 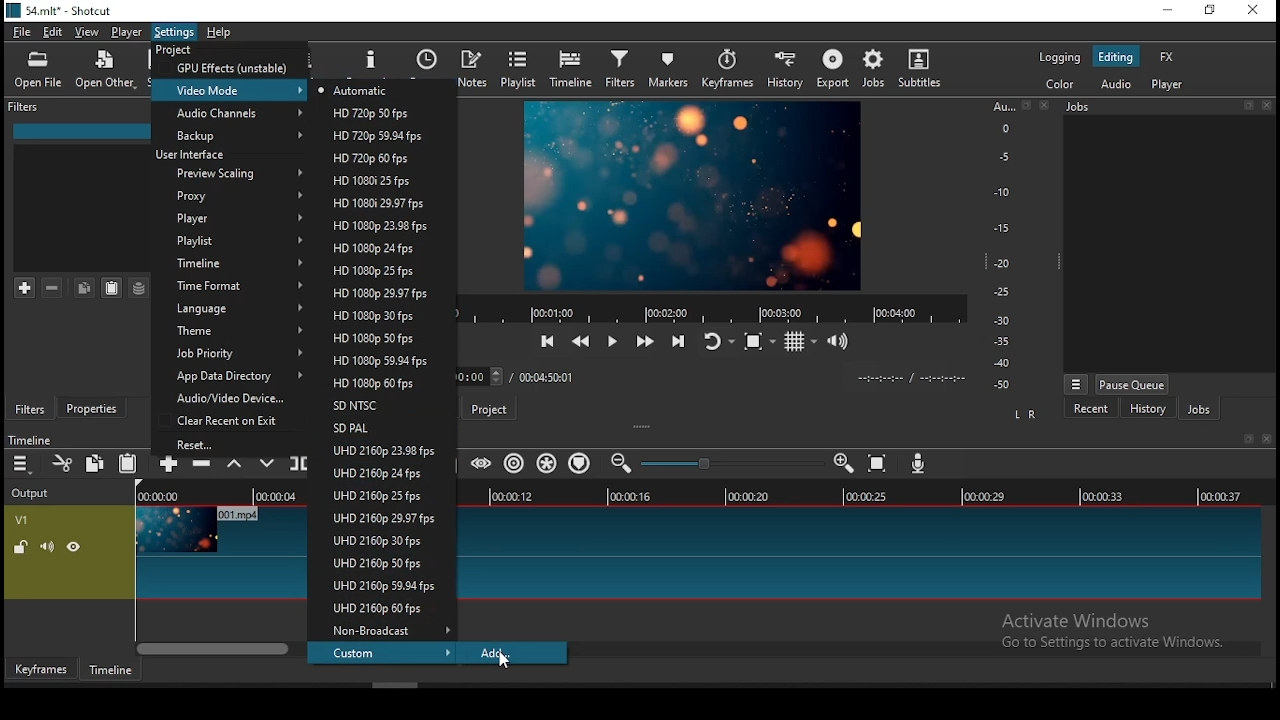 I want to click on open other, so click(x=105, y=75).